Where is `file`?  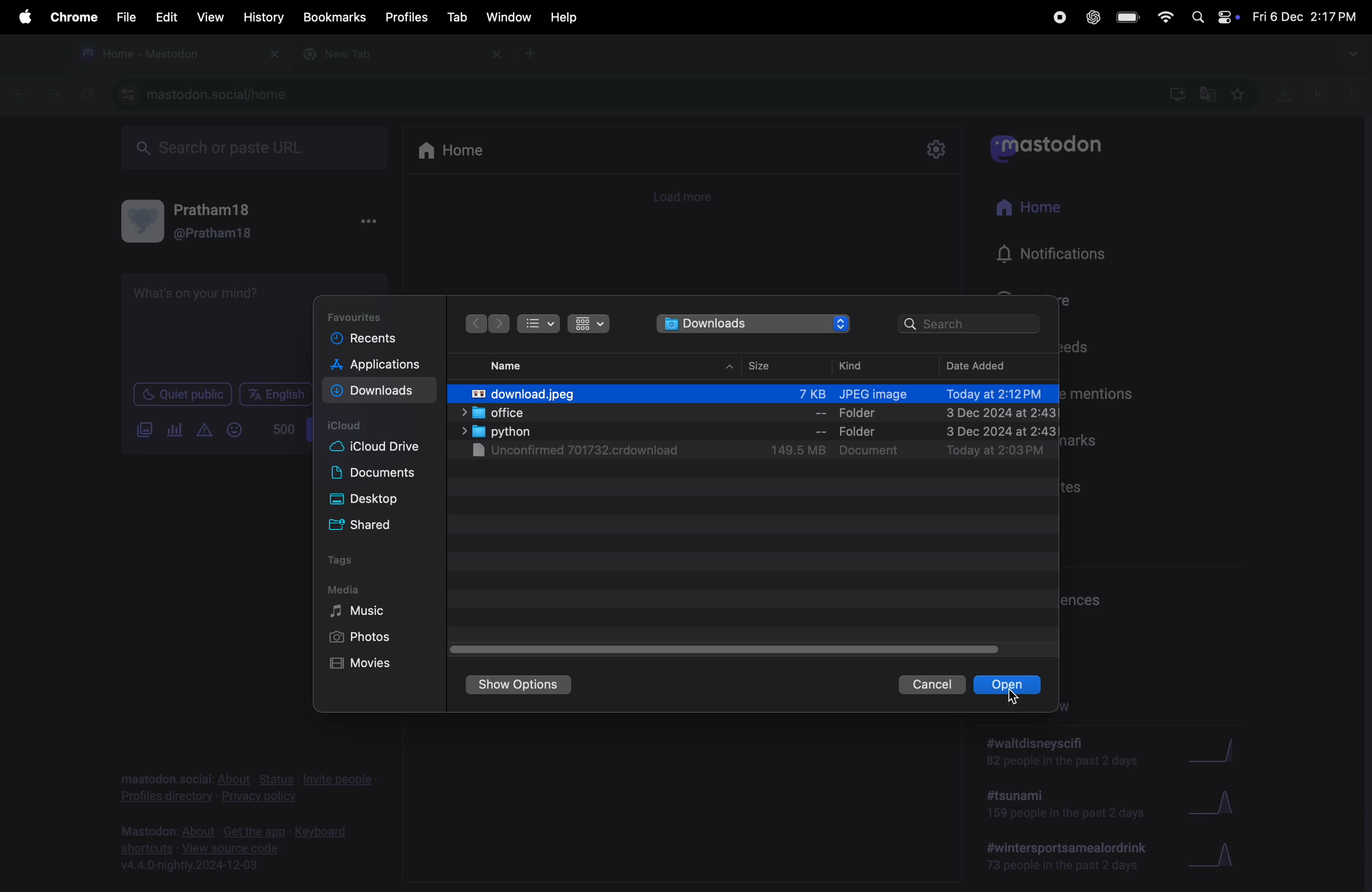
file is located at coordinates (126, 18).